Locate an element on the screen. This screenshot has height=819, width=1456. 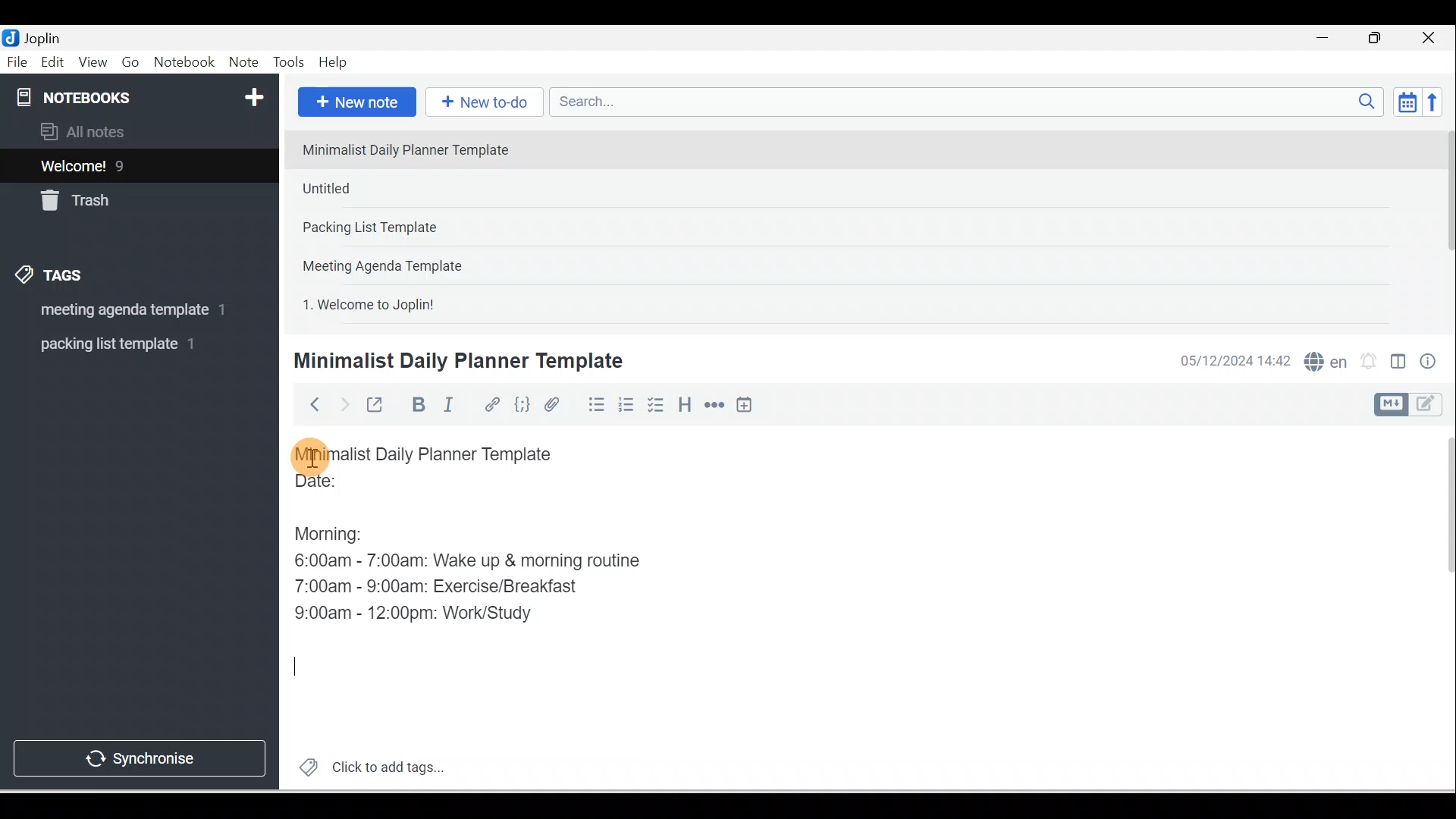
Toggle external editing is located at coordinates (377, 408).